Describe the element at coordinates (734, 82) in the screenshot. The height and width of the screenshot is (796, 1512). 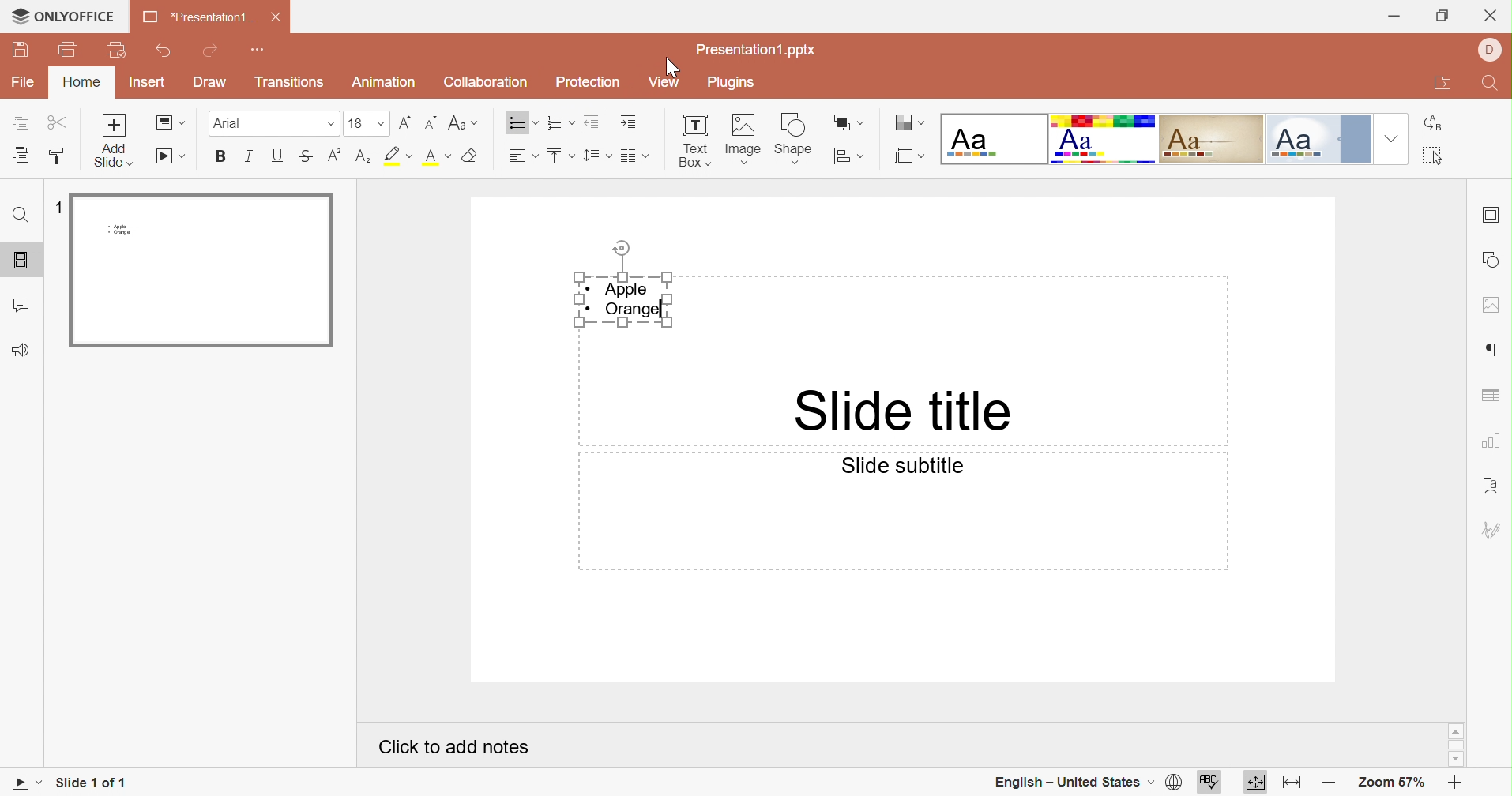
I see `Plugins` at that location.